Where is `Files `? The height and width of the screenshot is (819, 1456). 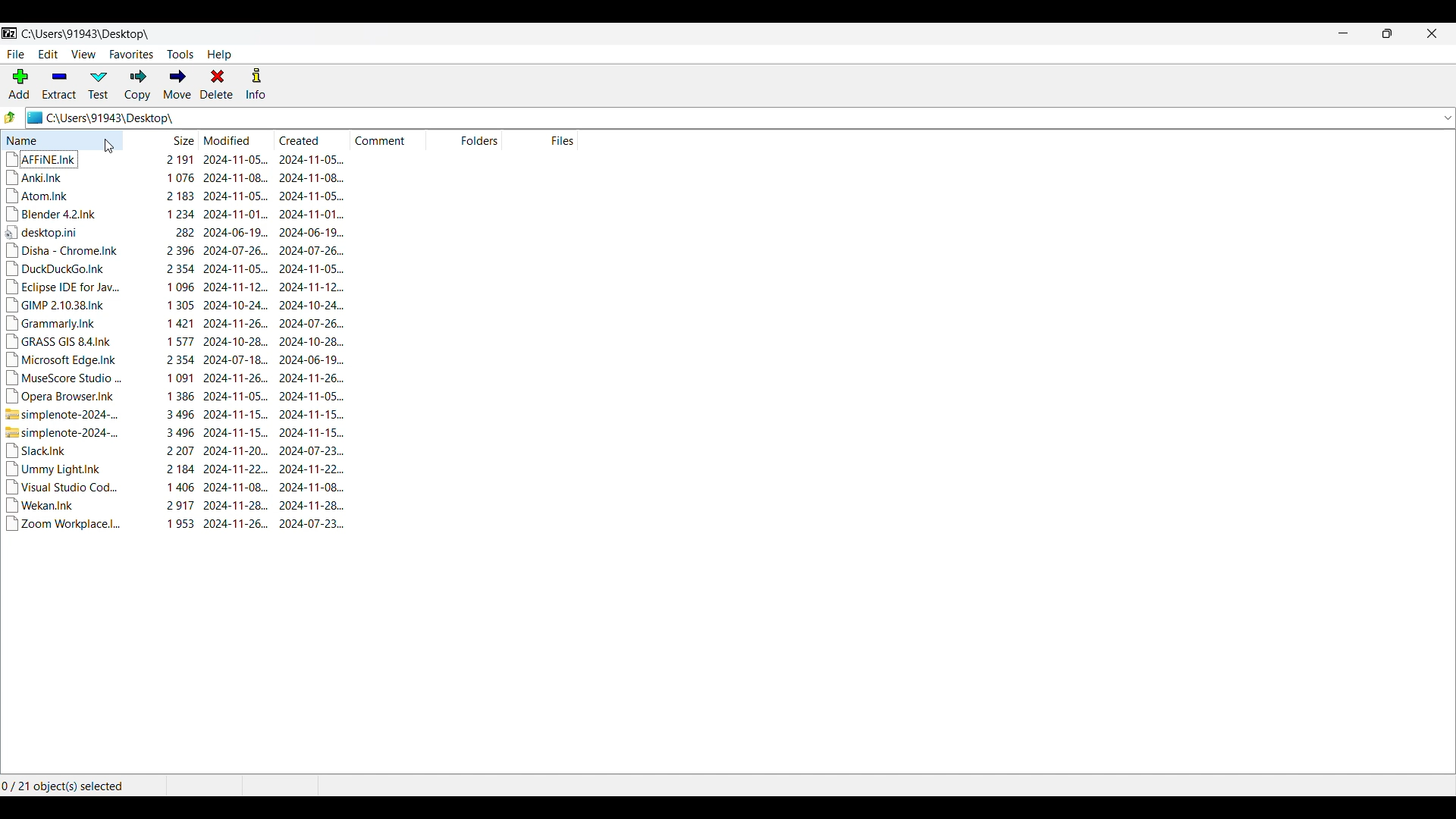 Files  is located at coordinates (559, 140).